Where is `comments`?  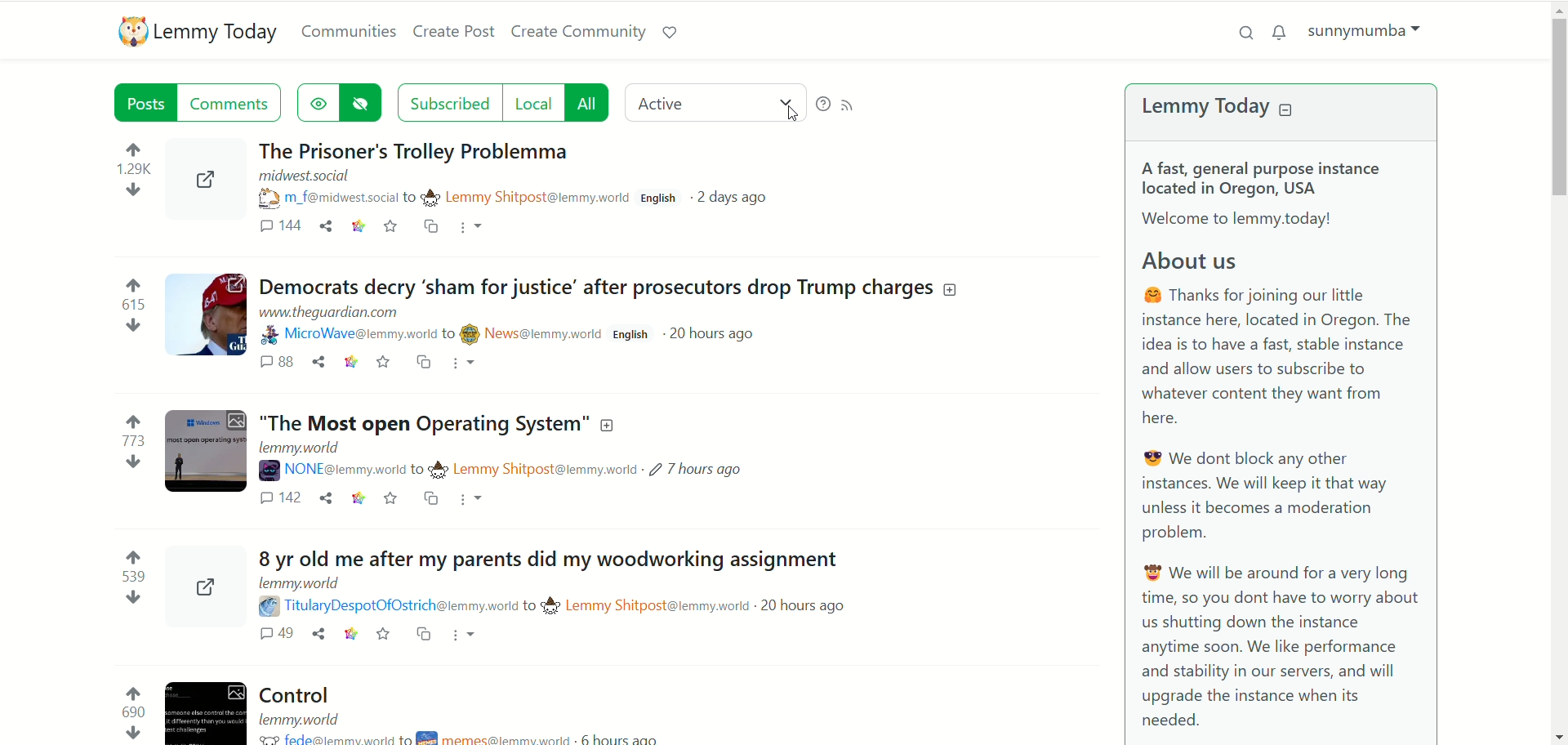
comments is located at coordinates (271, 365).